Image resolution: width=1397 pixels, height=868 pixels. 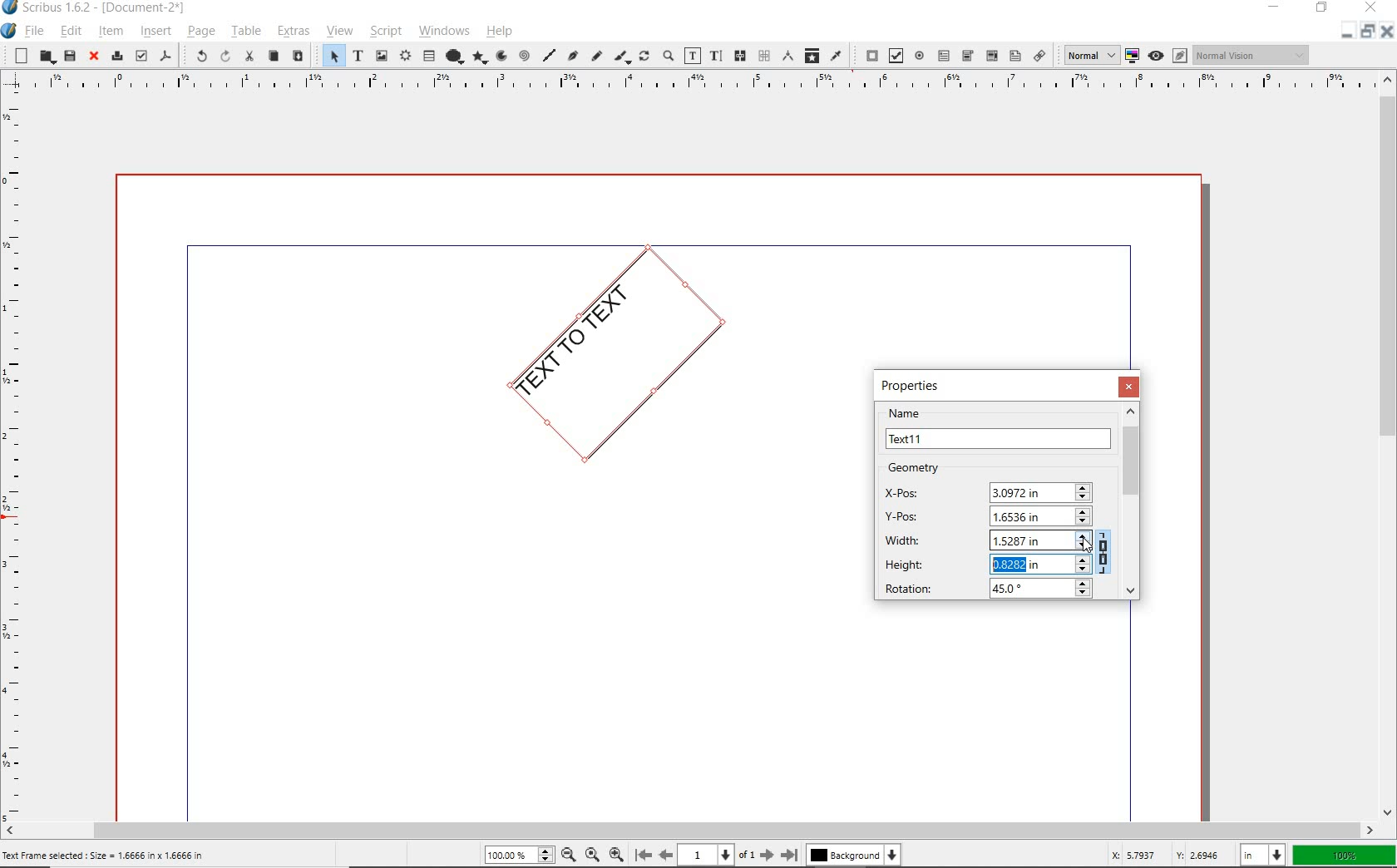 I want to click on move to first, so click(x=643, y=856).